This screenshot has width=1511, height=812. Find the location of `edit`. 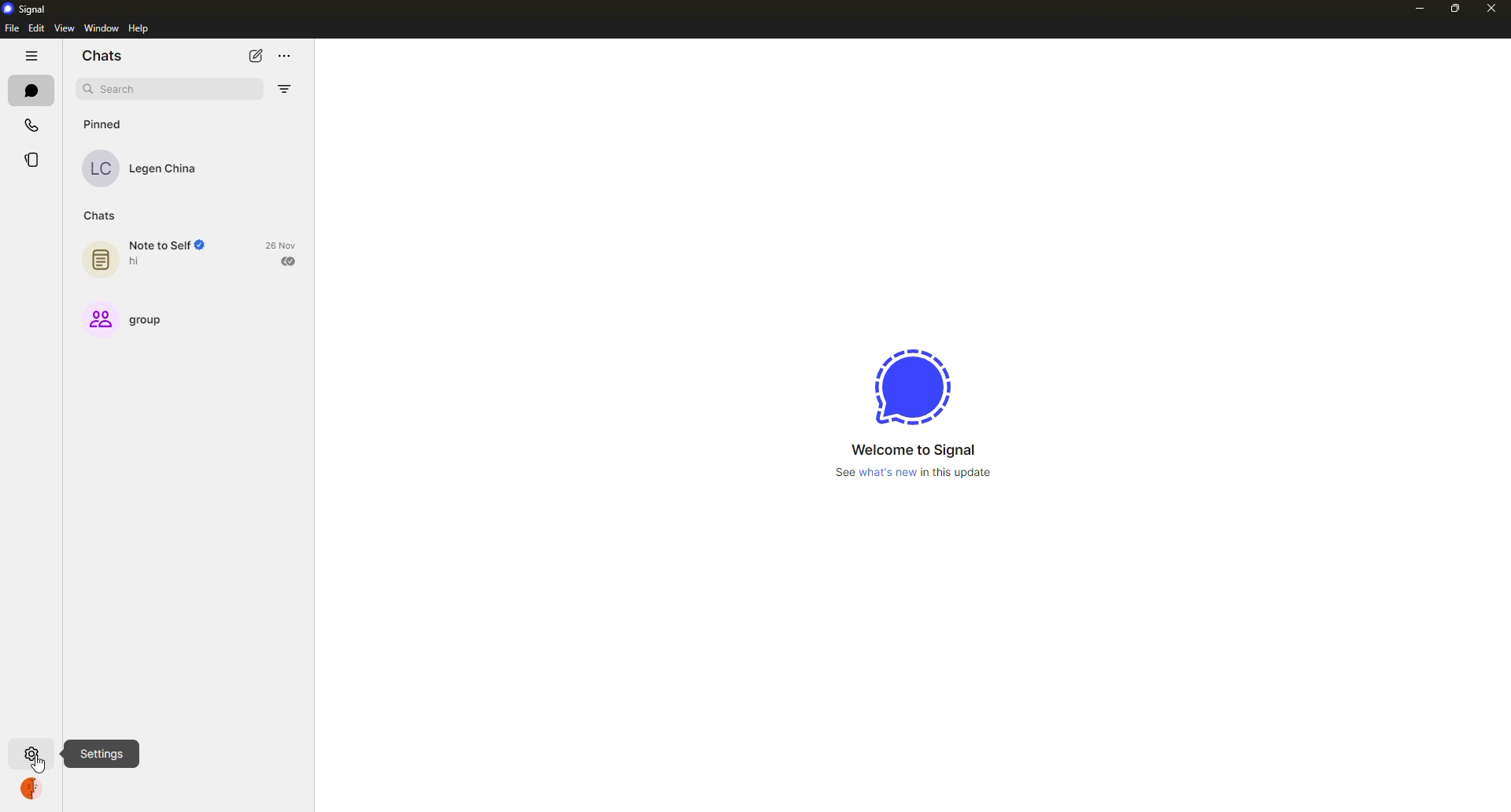

edit is located at coordinates (35, 29).